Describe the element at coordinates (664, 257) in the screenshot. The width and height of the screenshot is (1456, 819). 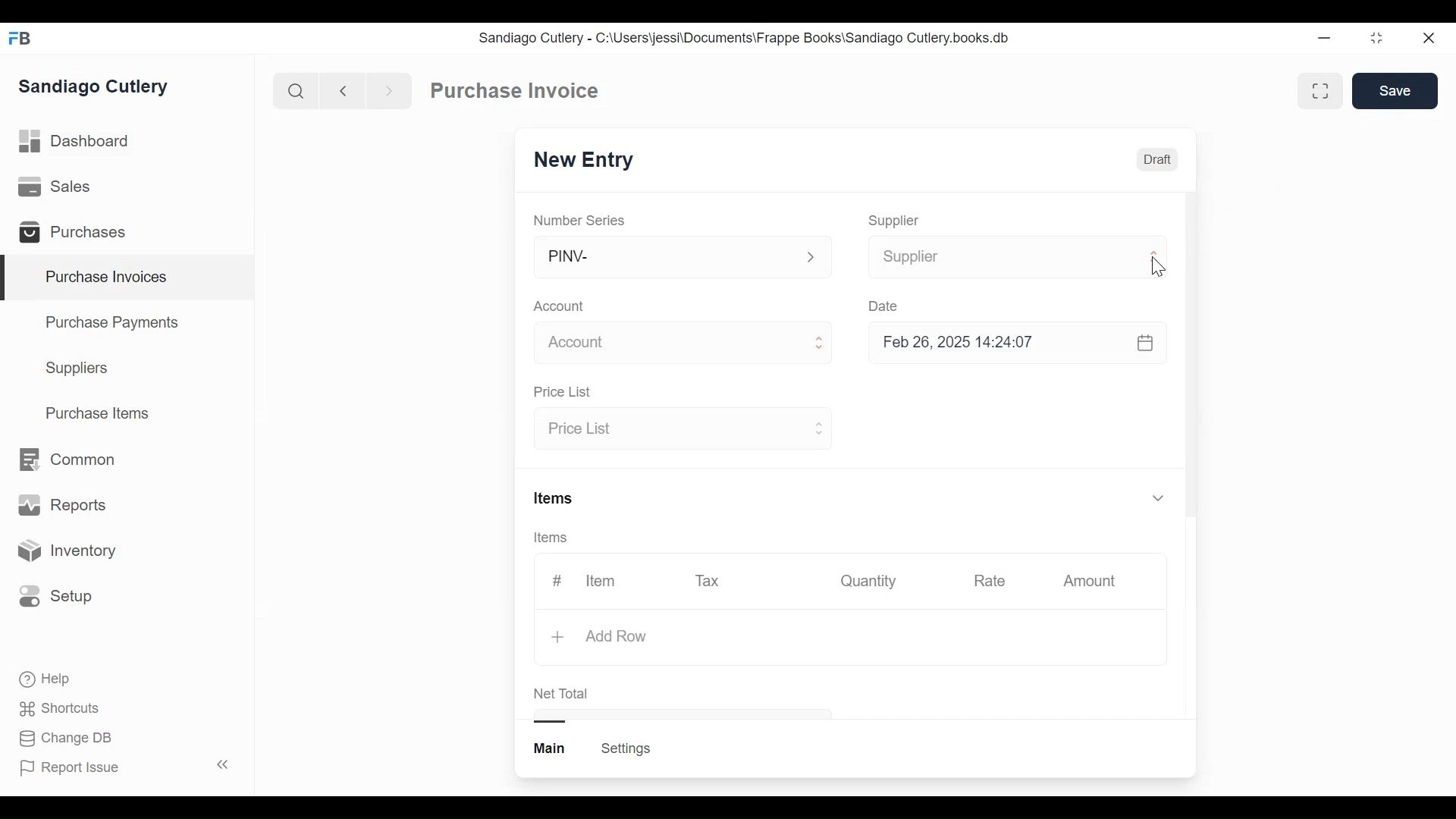
I see `PINV-` at that location.